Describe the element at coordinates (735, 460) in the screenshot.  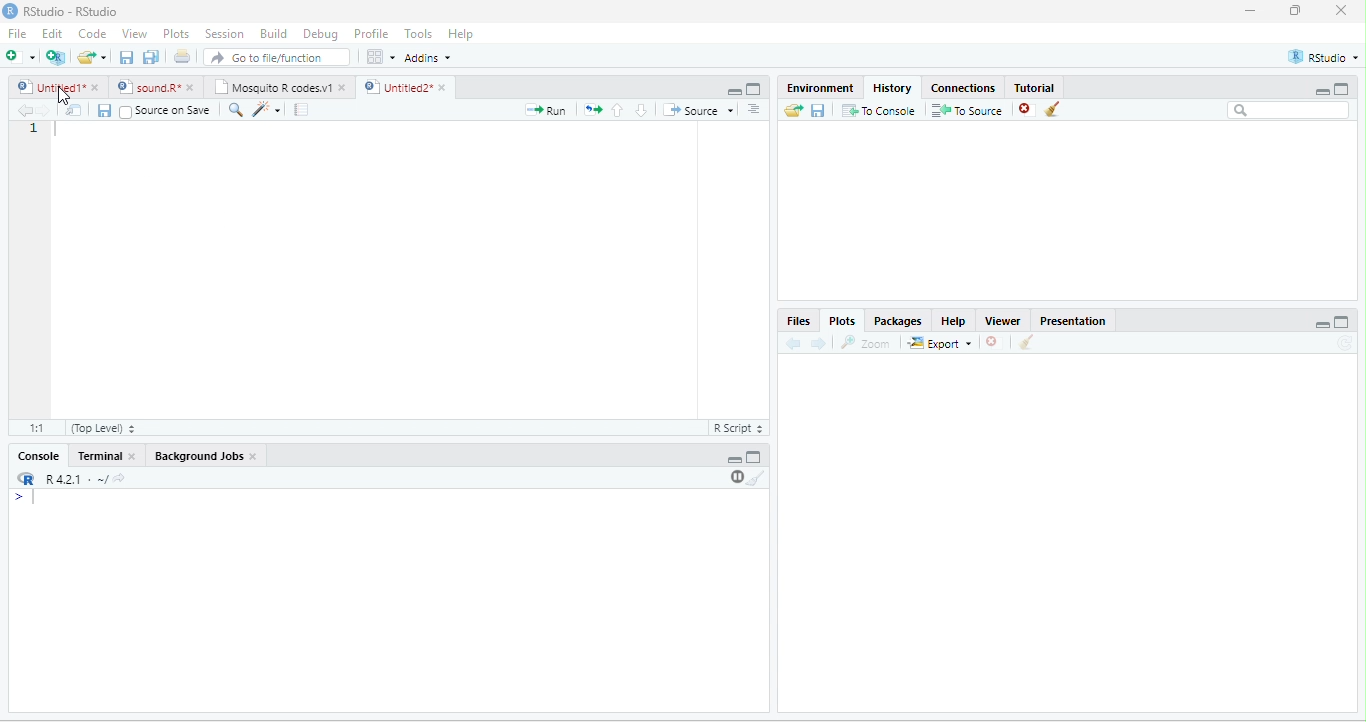
I see `minimize` at that location.